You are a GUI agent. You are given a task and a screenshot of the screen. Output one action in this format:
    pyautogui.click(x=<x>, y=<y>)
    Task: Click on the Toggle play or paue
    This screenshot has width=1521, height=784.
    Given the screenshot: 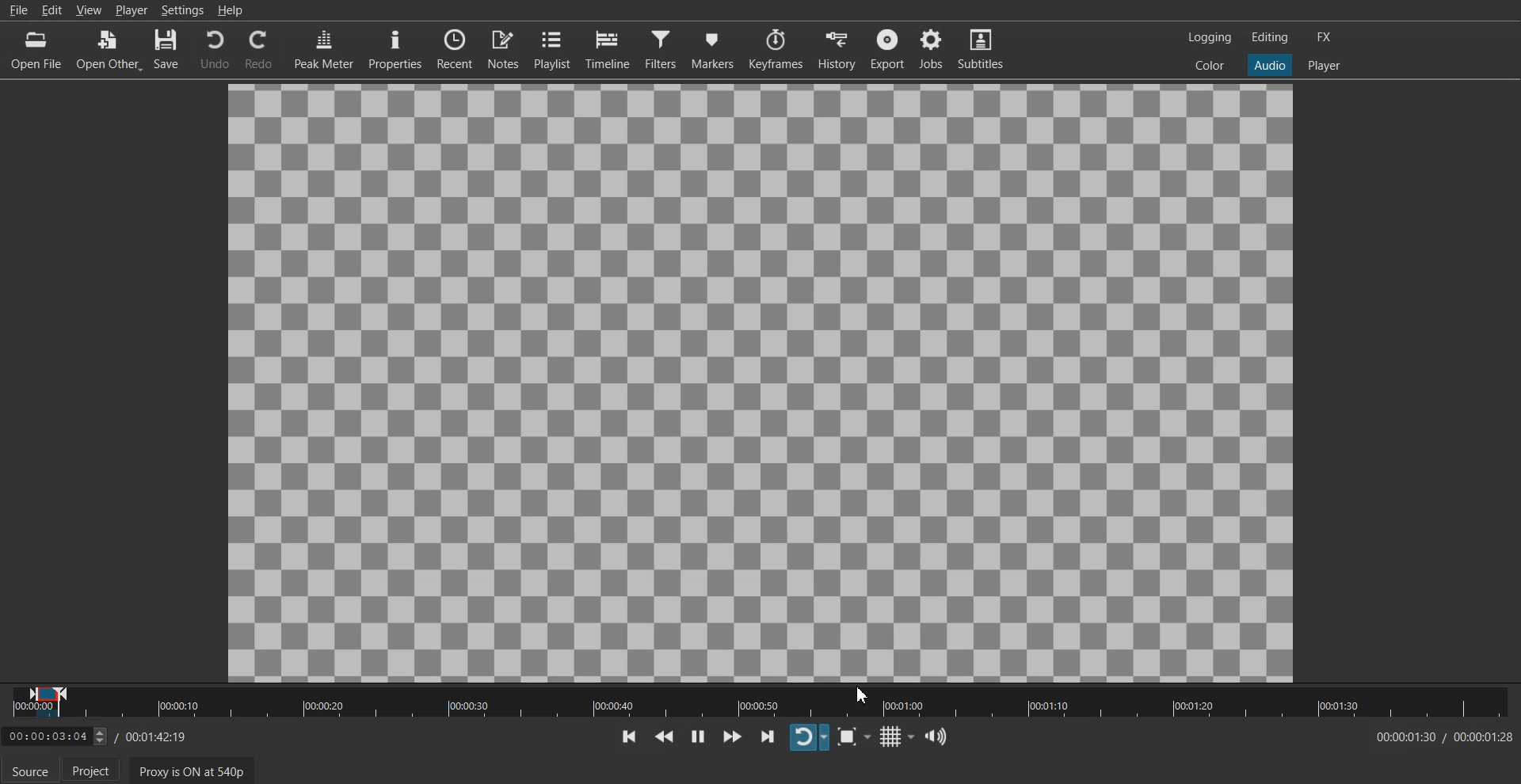 What is the action you would take?
    pyautogui.click(x=697, y=736)
    